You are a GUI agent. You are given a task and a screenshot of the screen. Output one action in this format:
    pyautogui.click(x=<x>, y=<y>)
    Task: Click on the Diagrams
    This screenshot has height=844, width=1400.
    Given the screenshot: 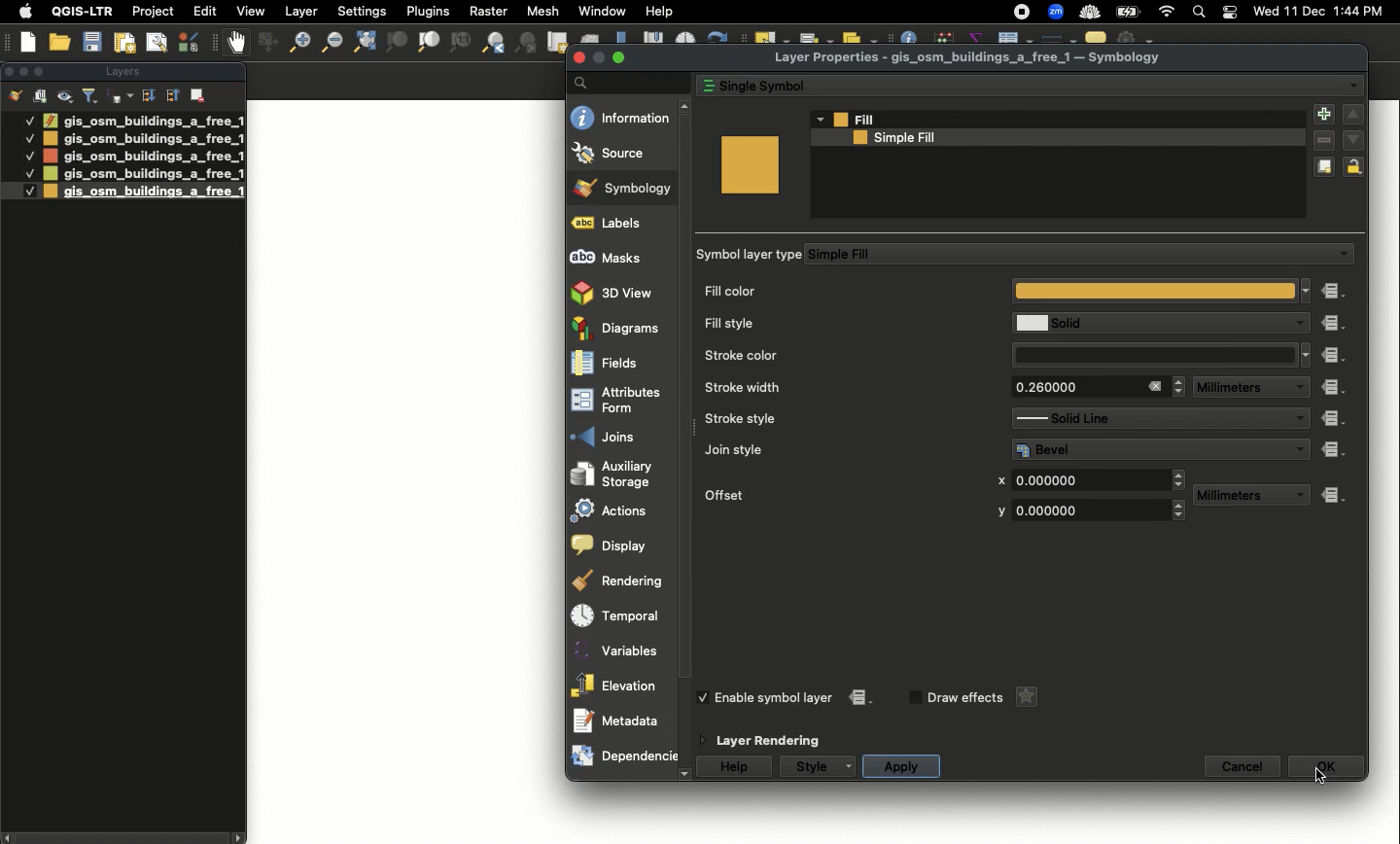 What is the action you would take?
    pyautogui.click(x=623, y=328)
    